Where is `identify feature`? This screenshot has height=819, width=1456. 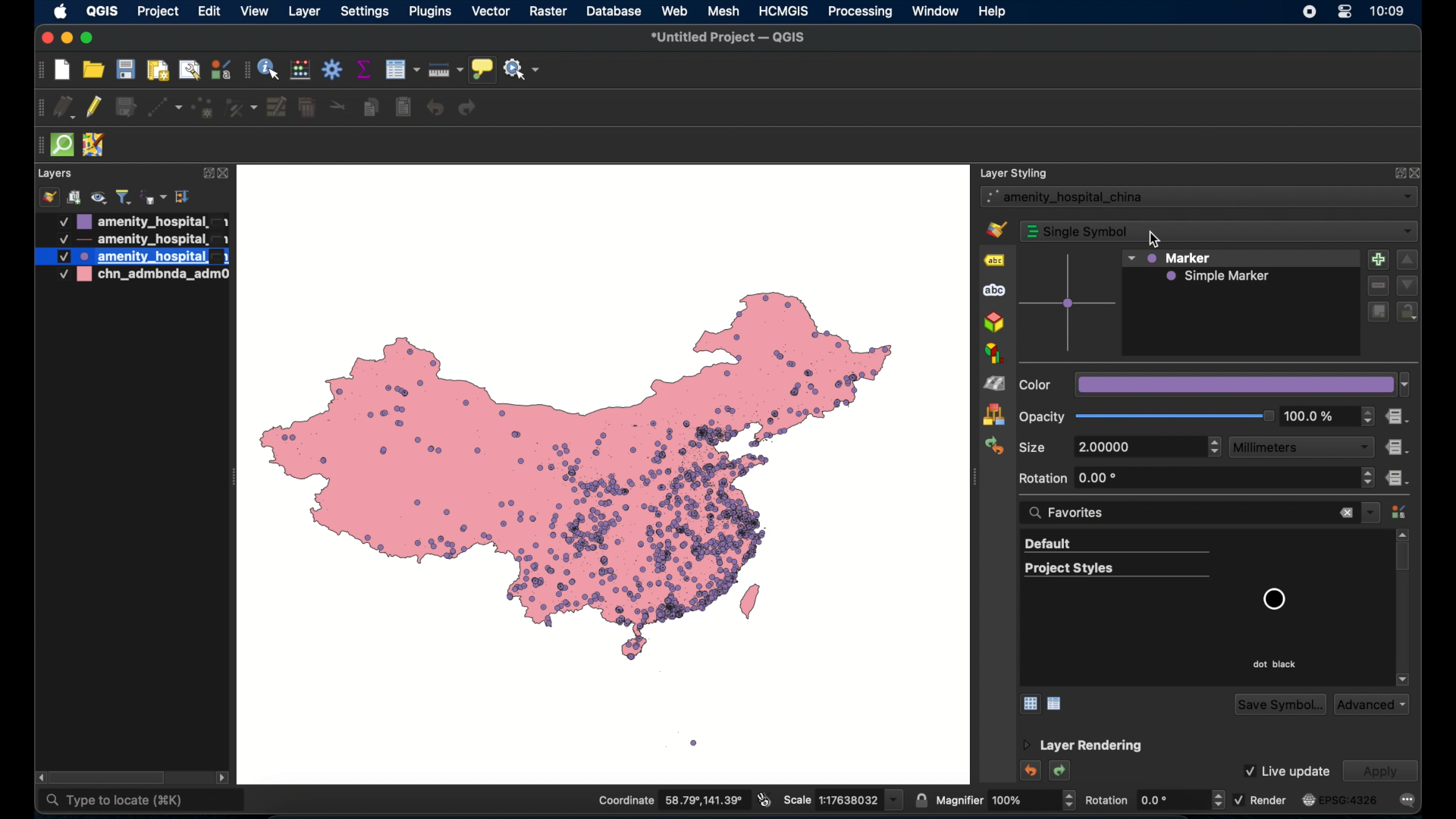
identify feature is located at coordinates (269, 69).